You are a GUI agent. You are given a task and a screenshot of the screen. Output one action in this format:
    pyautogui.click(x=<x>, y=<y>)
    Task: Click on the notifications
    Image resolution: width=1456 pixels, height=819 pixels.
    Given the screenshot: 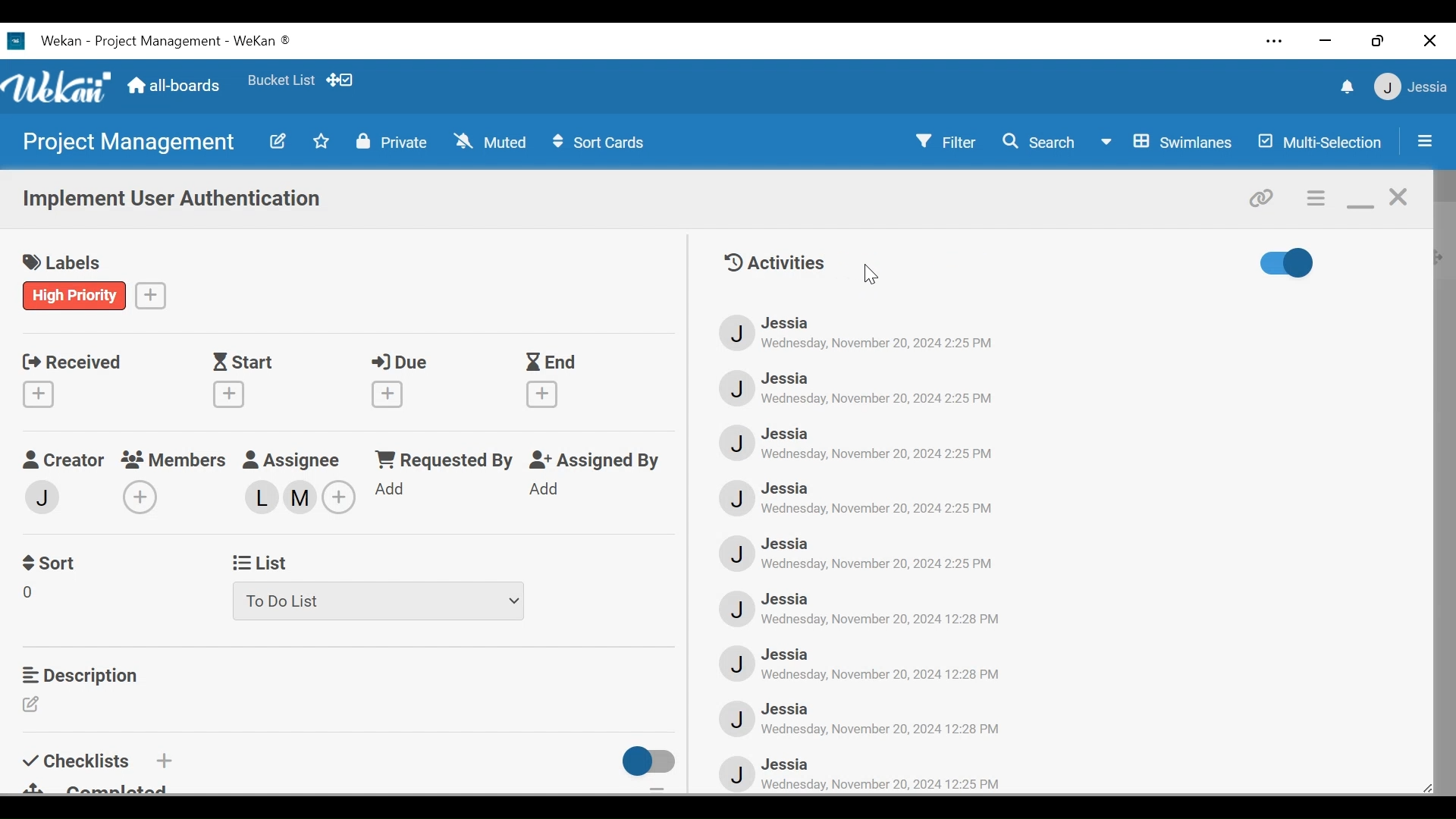 What is the action you would take?
    pyautogui.click(x=1343, y=88)
    